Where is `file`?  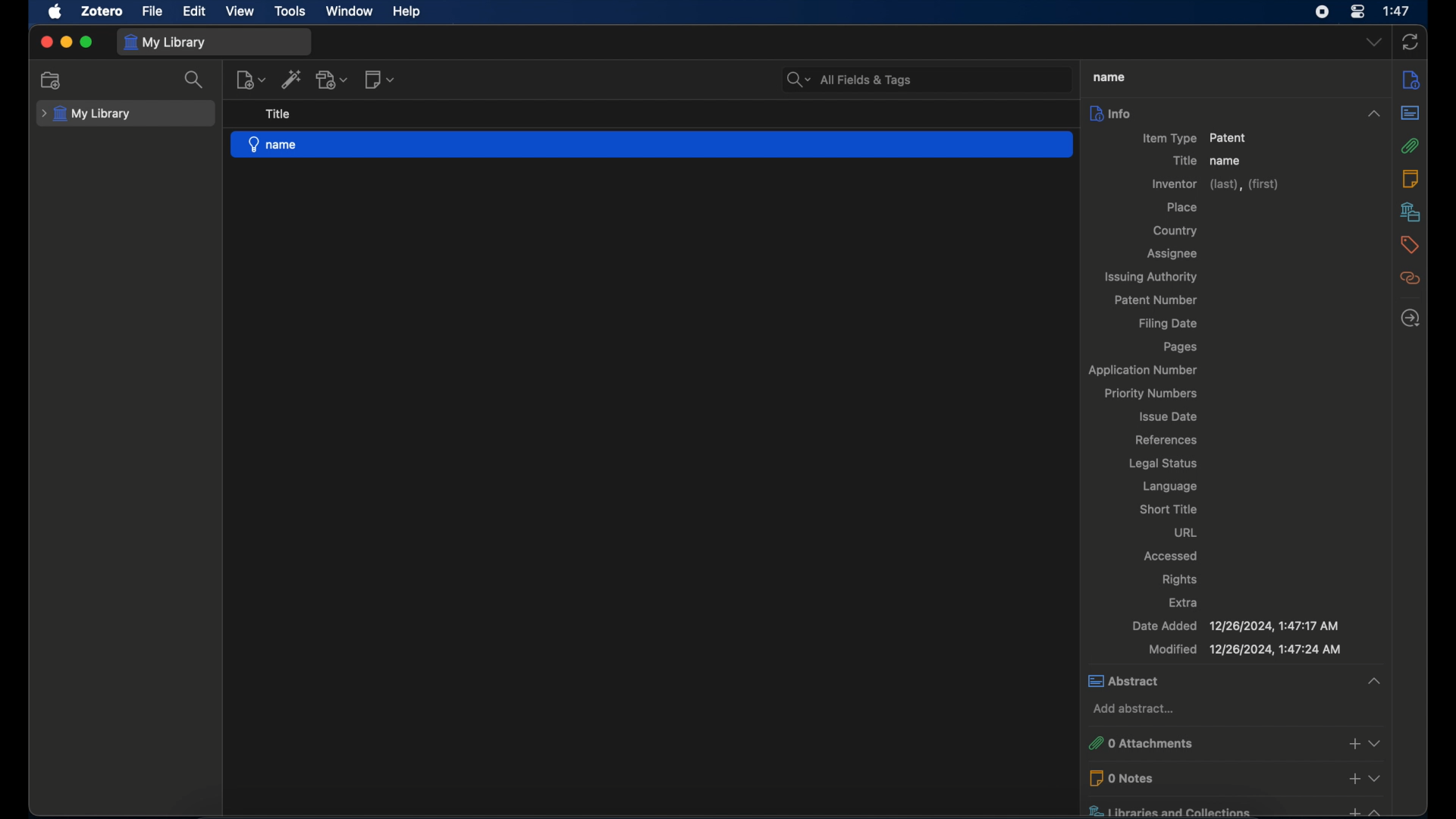 file is located at coordinates (154, 11).